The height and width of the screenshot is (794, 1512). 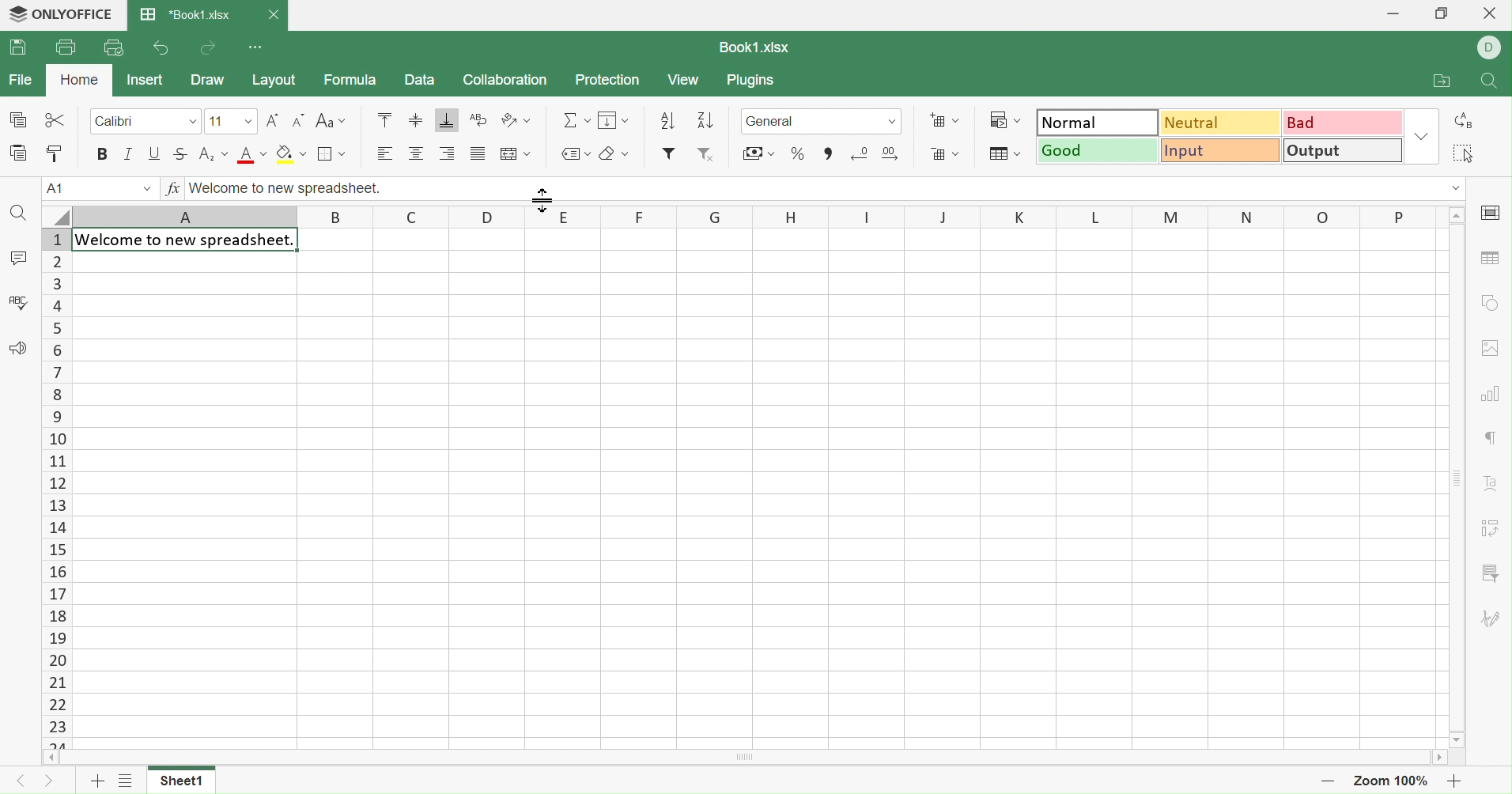 I want to click on Undo, so click(x=160, y=48).